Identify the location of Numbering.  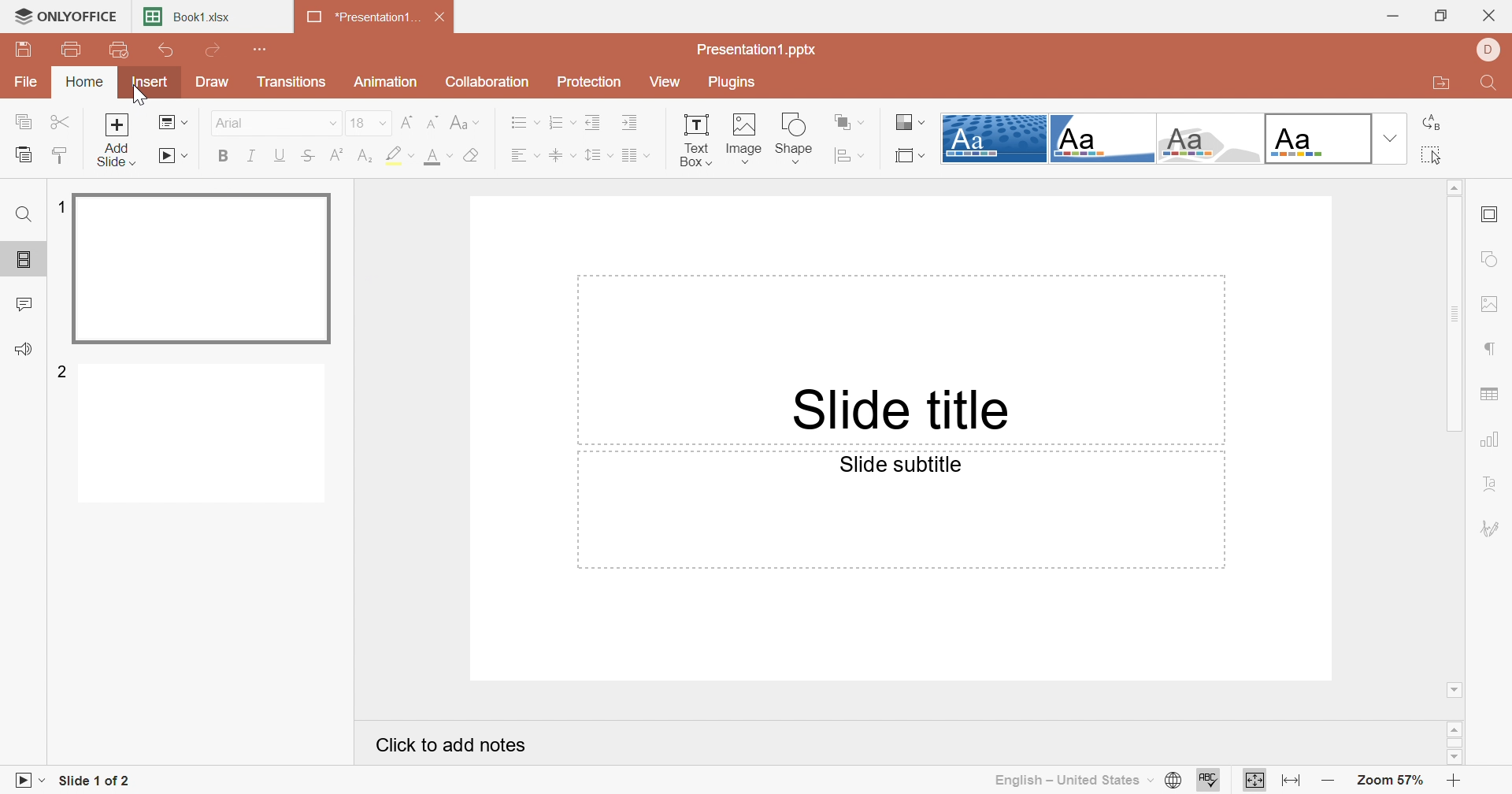
(558, 122).